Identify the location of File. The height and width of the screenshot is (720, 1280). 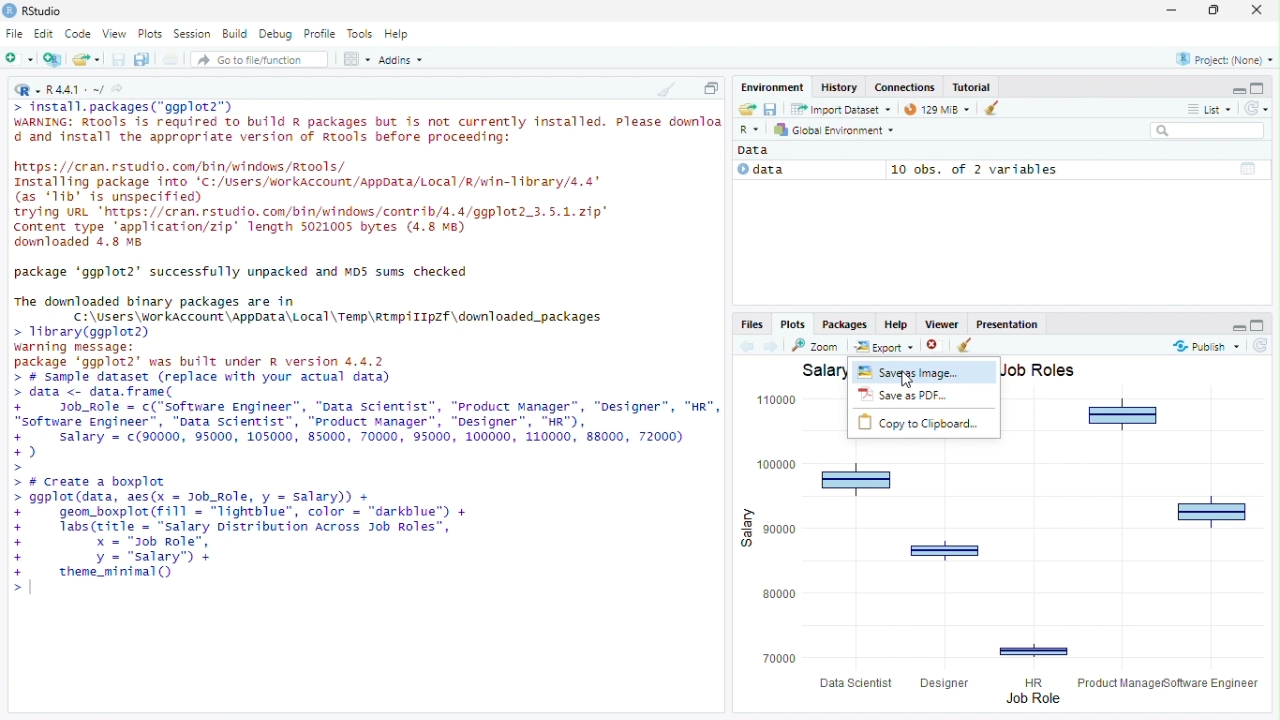
(15, 35).